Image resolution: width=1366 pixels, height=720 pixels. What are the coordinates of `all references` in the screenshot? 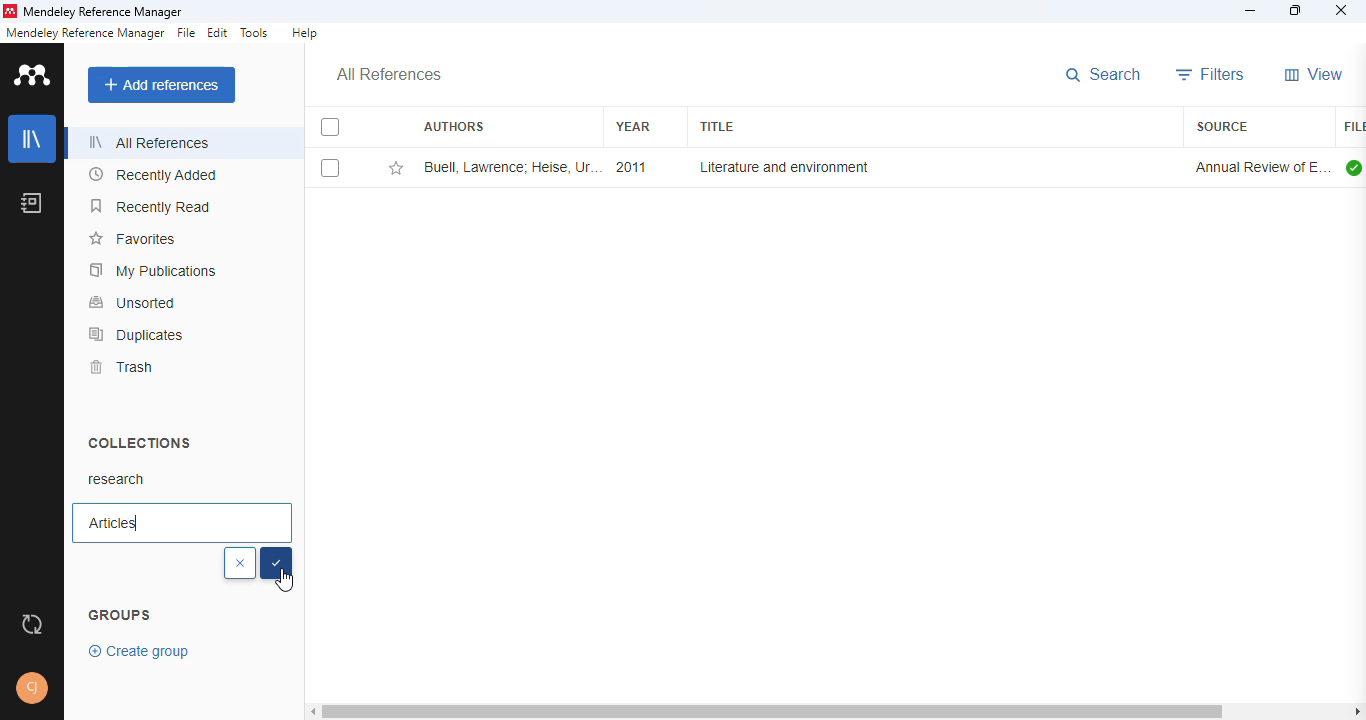 It's located at (150, 142).